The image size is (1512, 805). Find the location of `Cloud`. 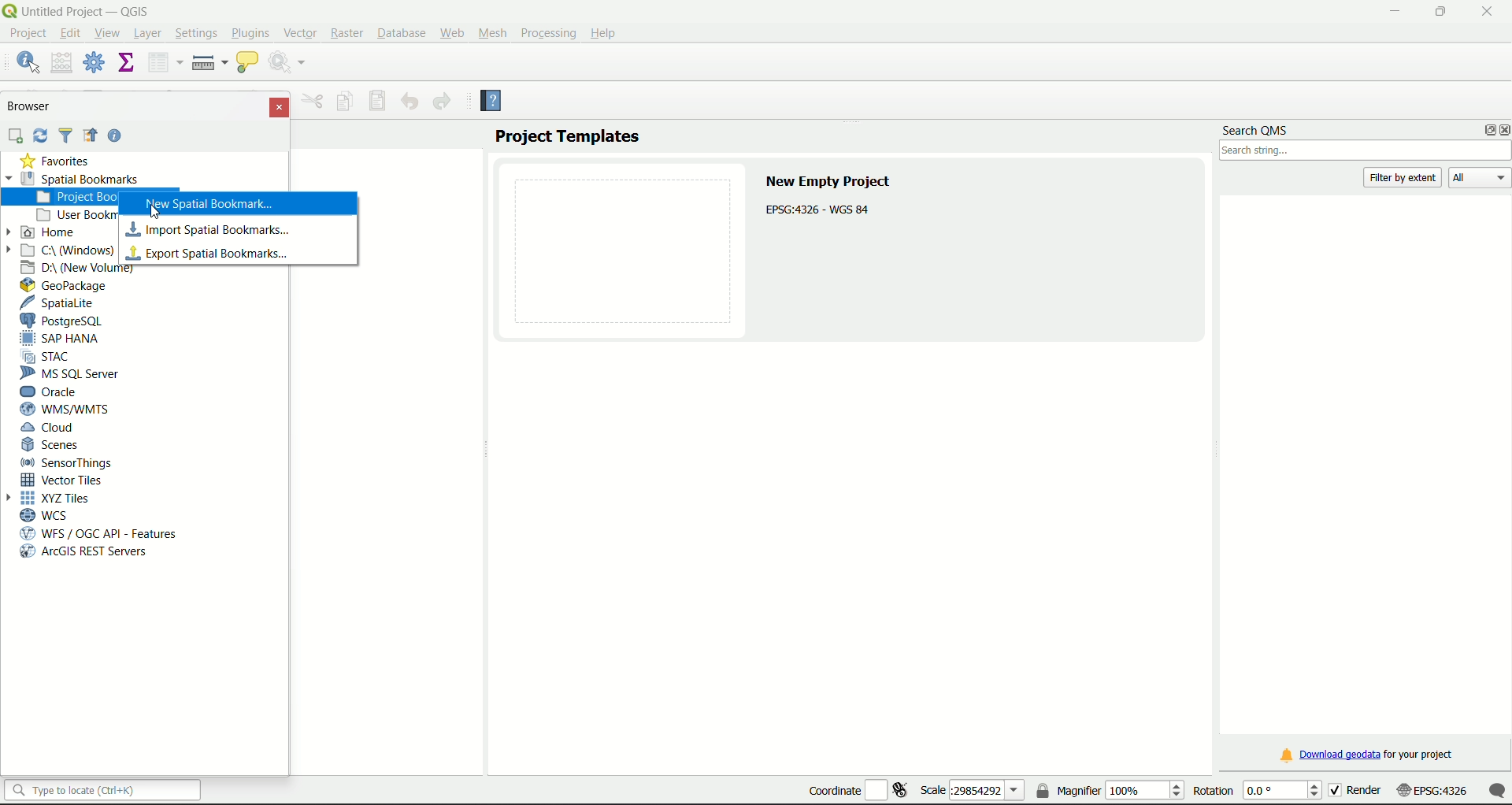

Cloud is located at coordinates (49, 428).